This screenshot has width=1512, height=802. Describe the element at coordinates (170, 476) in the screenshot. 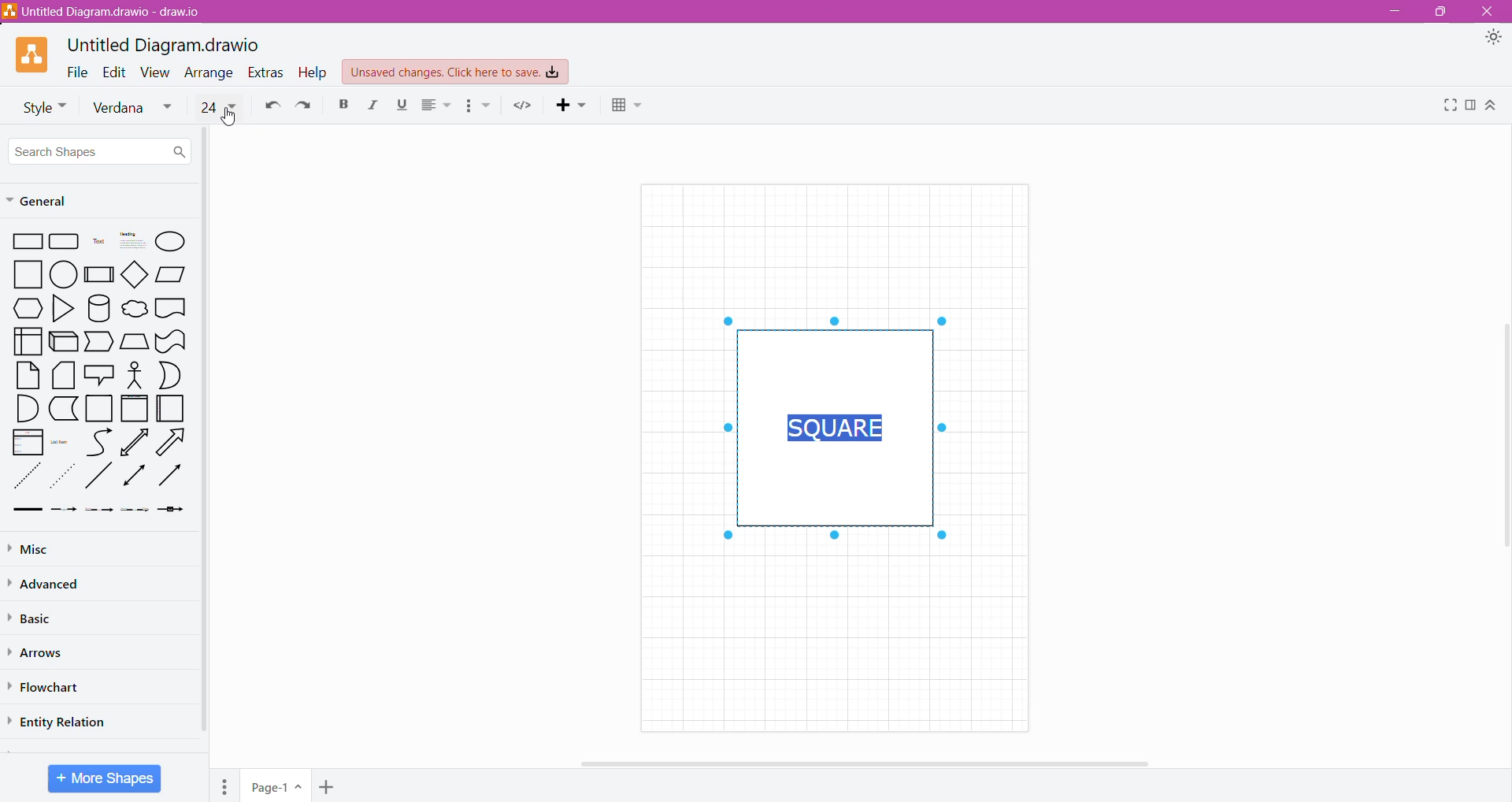

I see `Rightward Thick Arrow ` at that location.